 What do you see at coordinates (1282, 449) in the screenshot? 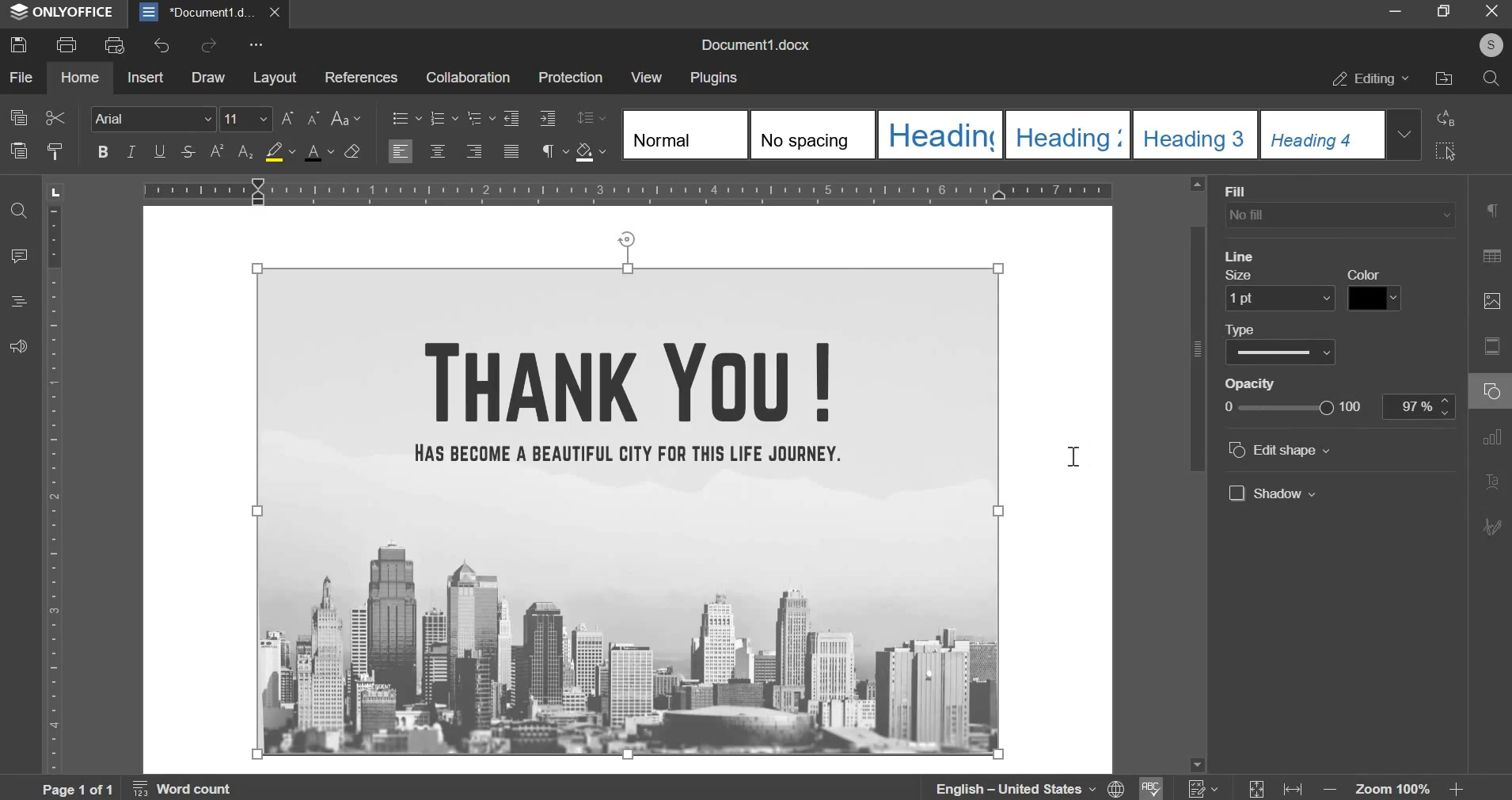
I see `Edit shape` at bounding box center [1282, 449].